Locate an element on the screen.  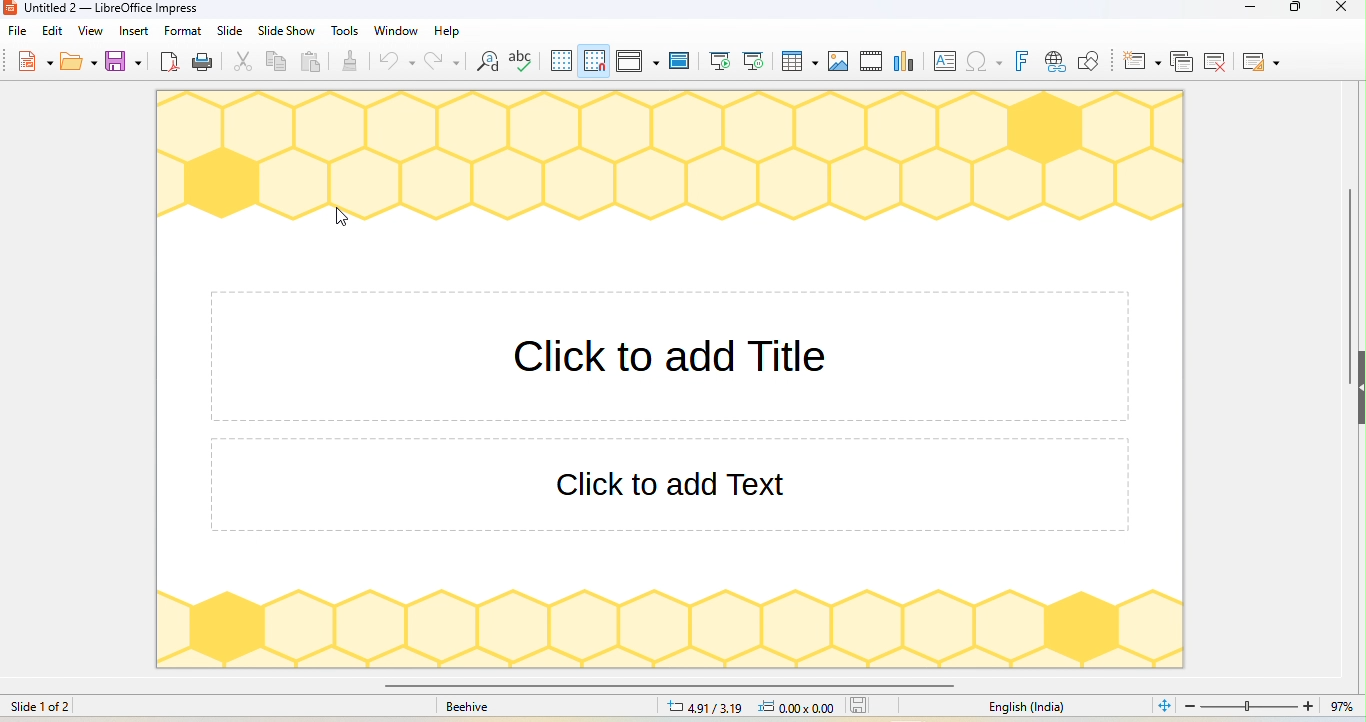
redo is located at coordinates (445, 62).